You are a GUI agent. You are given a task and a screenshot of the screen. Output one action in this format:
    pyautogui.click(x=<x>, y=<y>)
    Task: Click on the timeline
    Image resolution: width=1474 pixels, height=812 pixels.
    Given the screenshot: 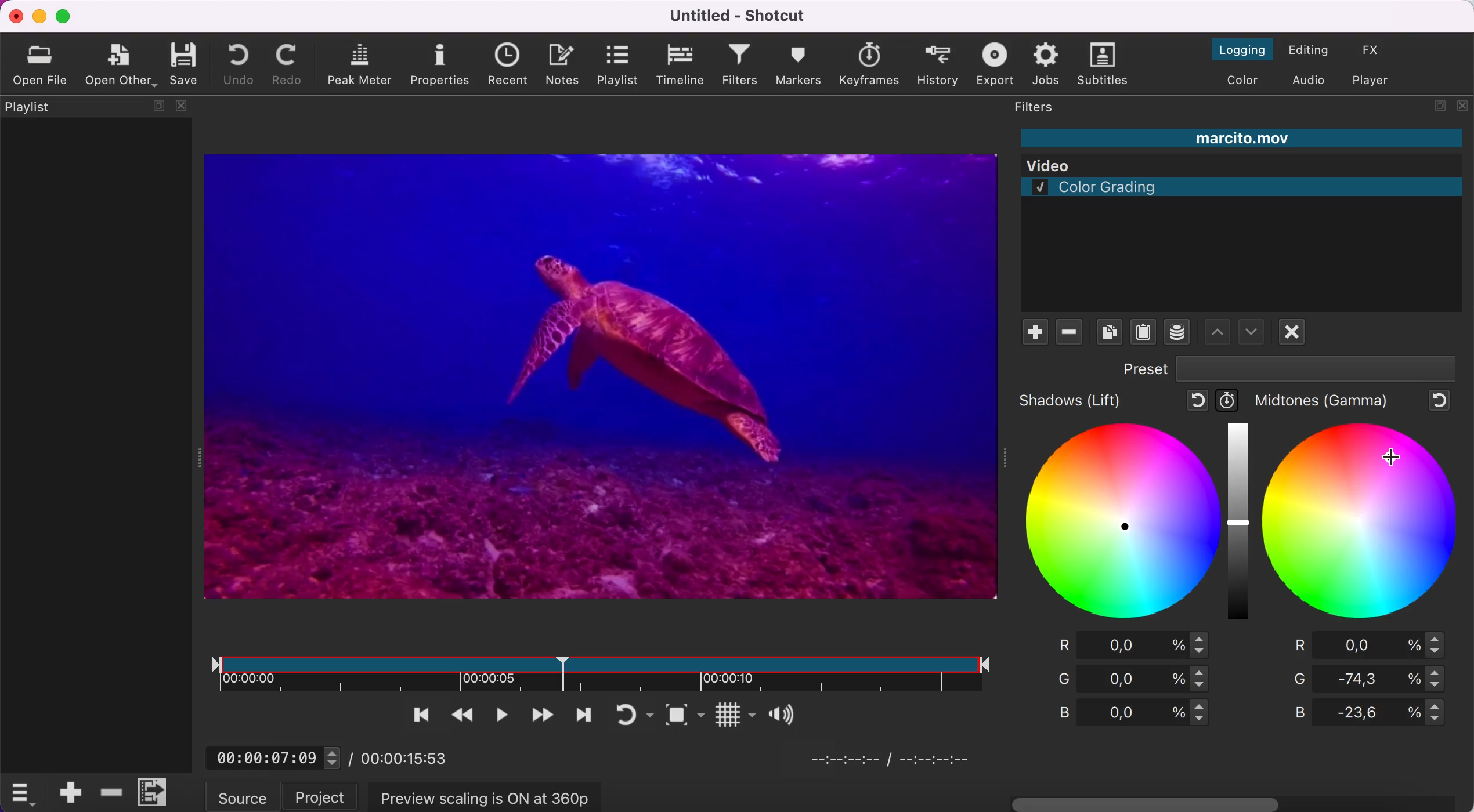 What is the action you would take?
    pyautogui.click(x=680, y=64)
    